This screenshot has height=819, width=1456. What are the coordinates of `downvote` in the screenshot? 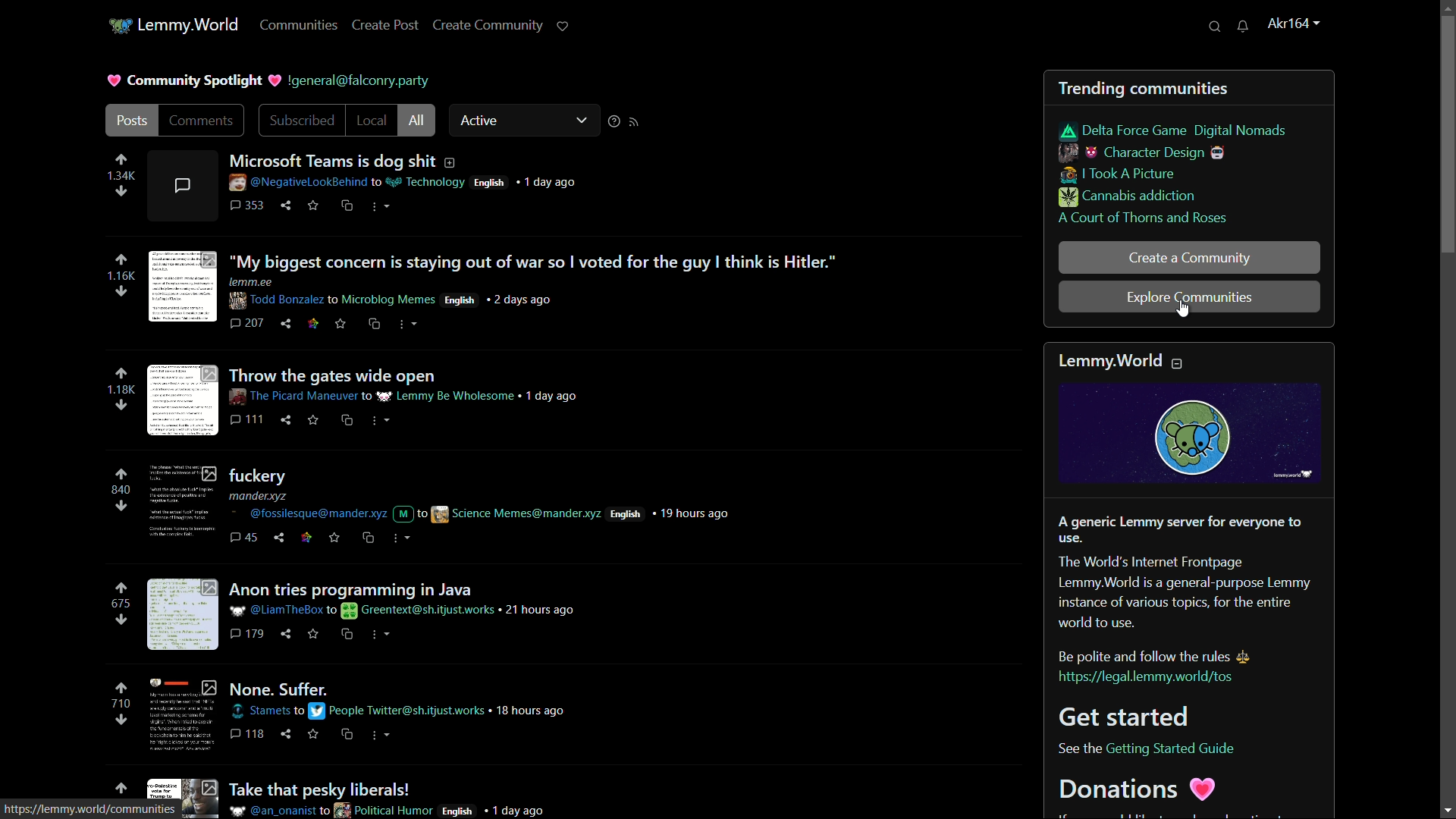 It's located at (119, 620).